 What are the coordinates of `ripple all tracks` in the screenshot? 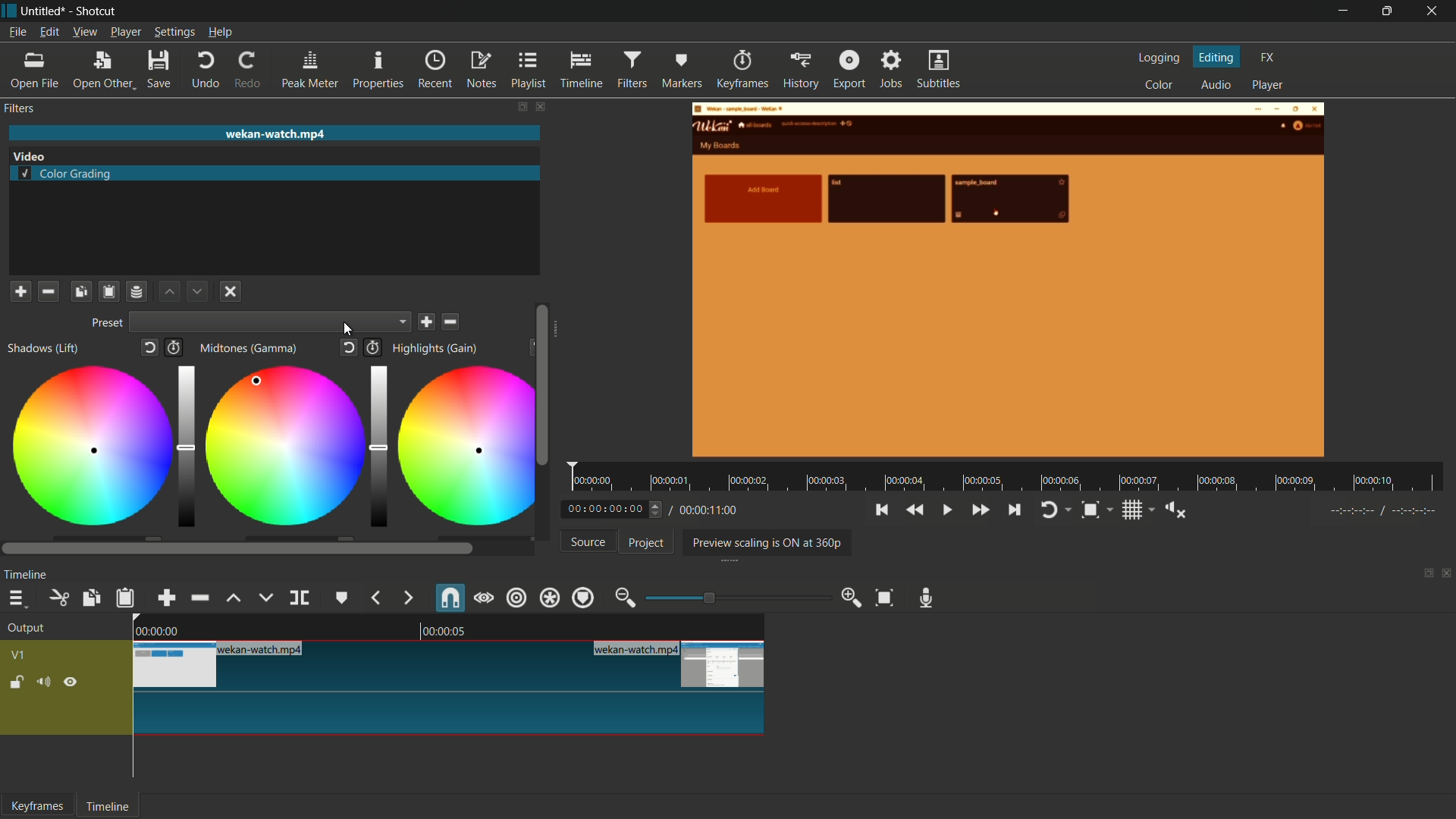 It's located at (548, 598).